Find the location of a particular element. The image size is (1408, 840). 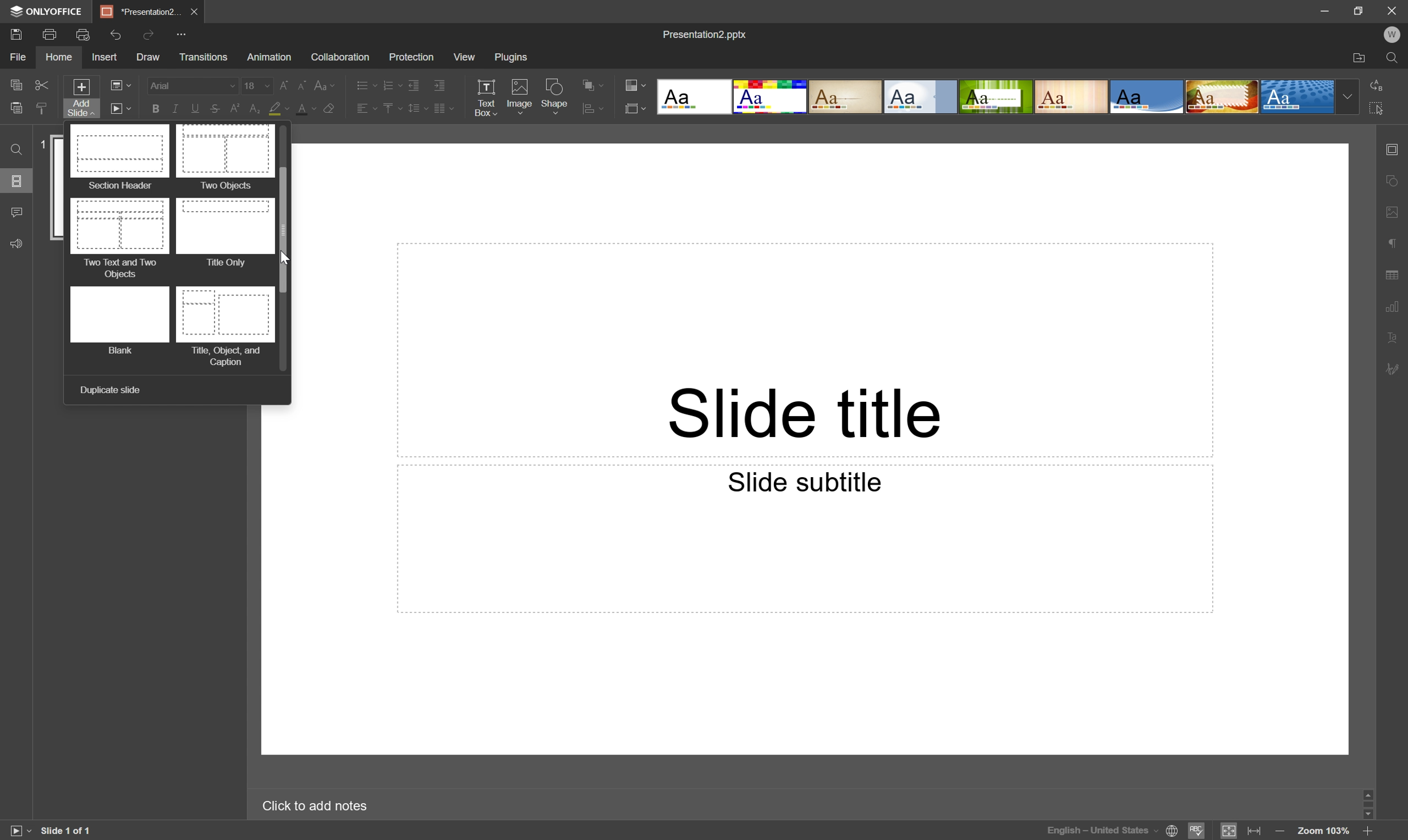

Protection is located at coordinates (409, 56).